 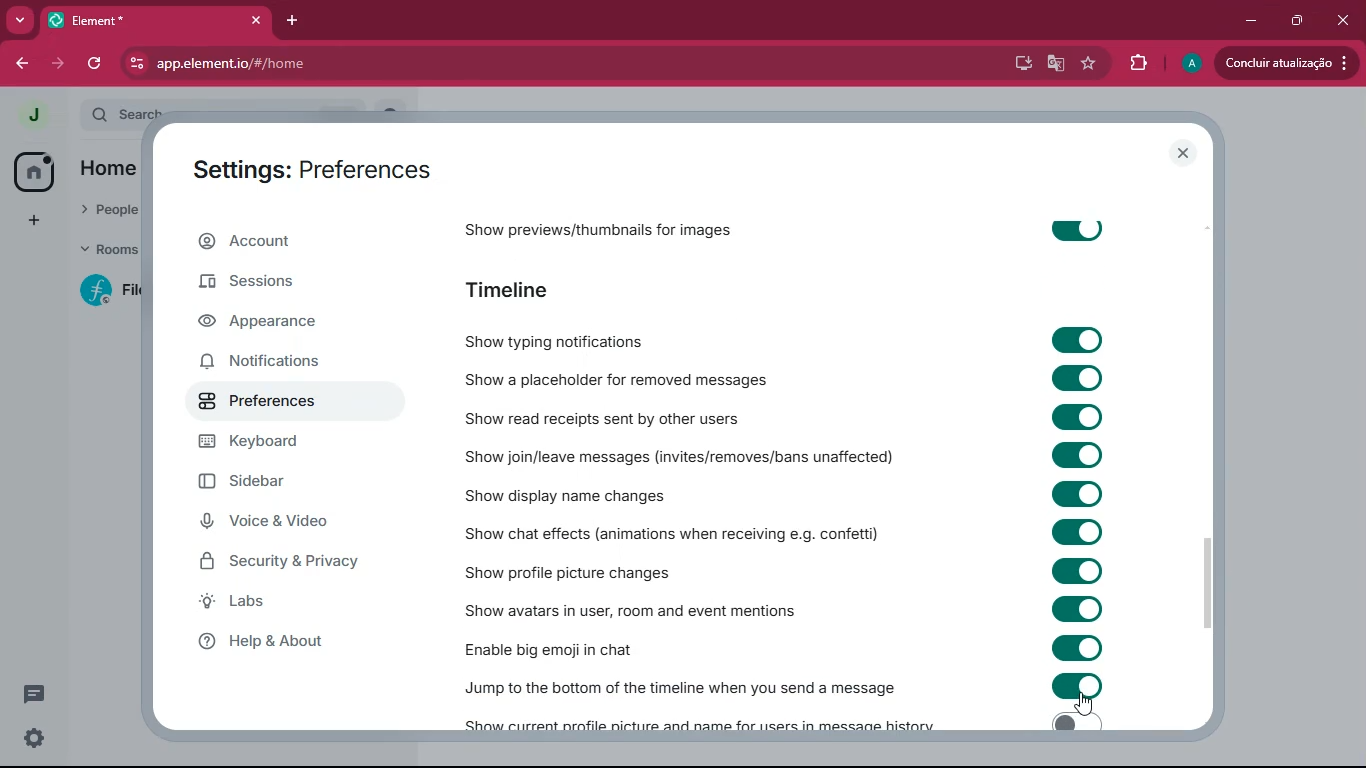 I want to click on Jump to the bottom of the timline when you send a message, so click(x=680, y=688).